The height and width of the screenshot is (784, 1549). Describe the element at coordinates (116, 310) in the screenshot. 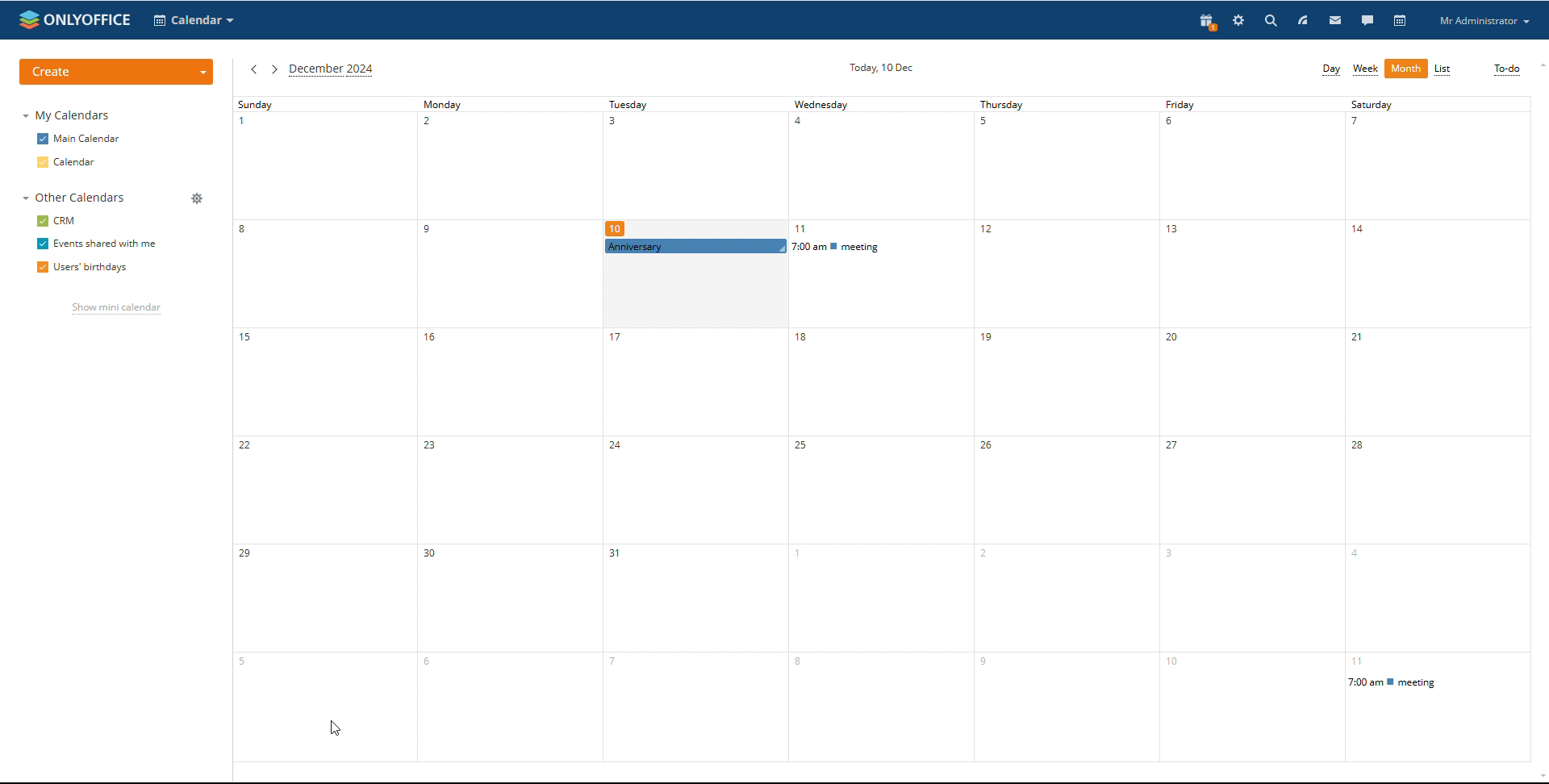

I see `show mini calendar` at that location.